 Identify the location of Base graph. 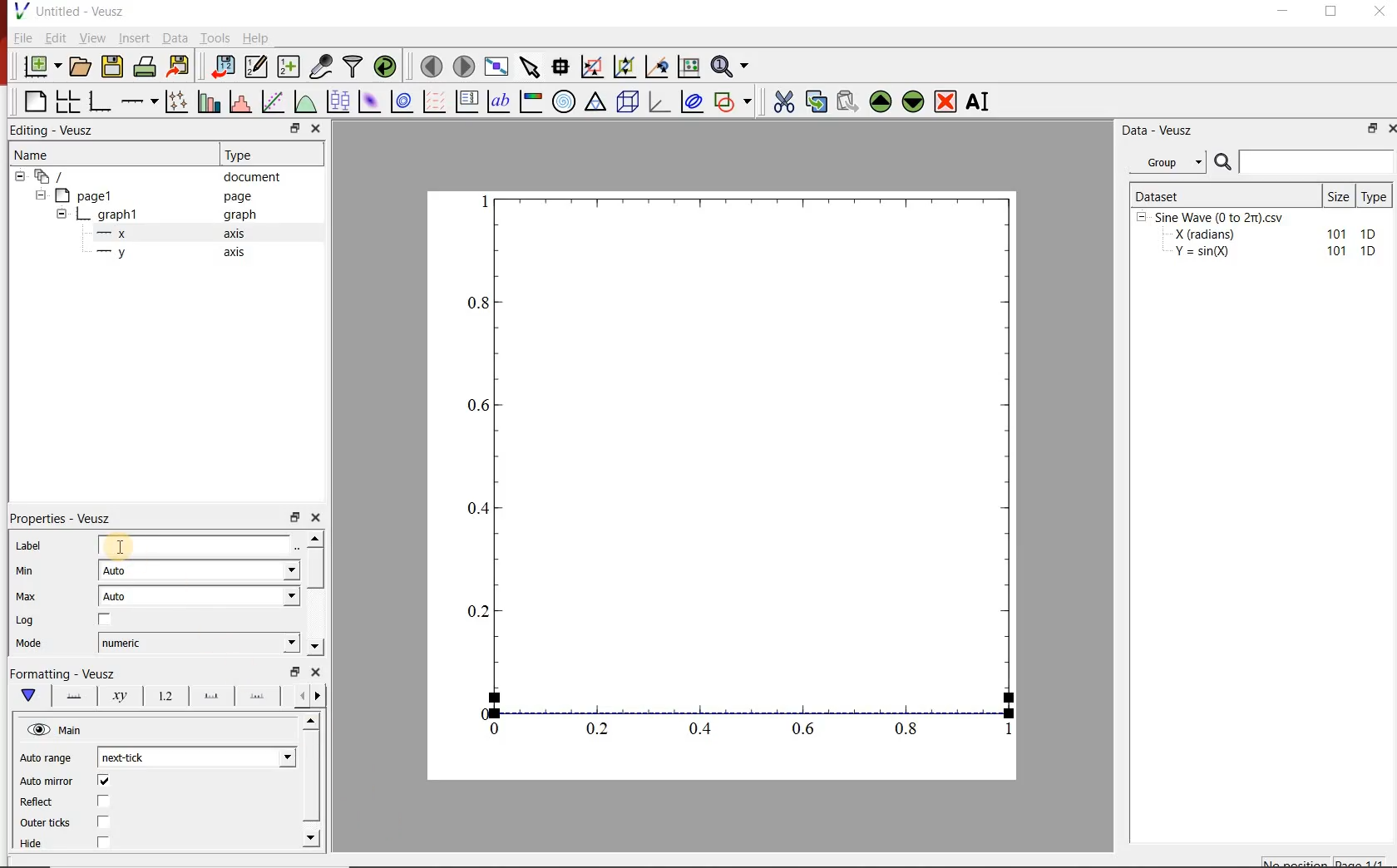
(101, 101).